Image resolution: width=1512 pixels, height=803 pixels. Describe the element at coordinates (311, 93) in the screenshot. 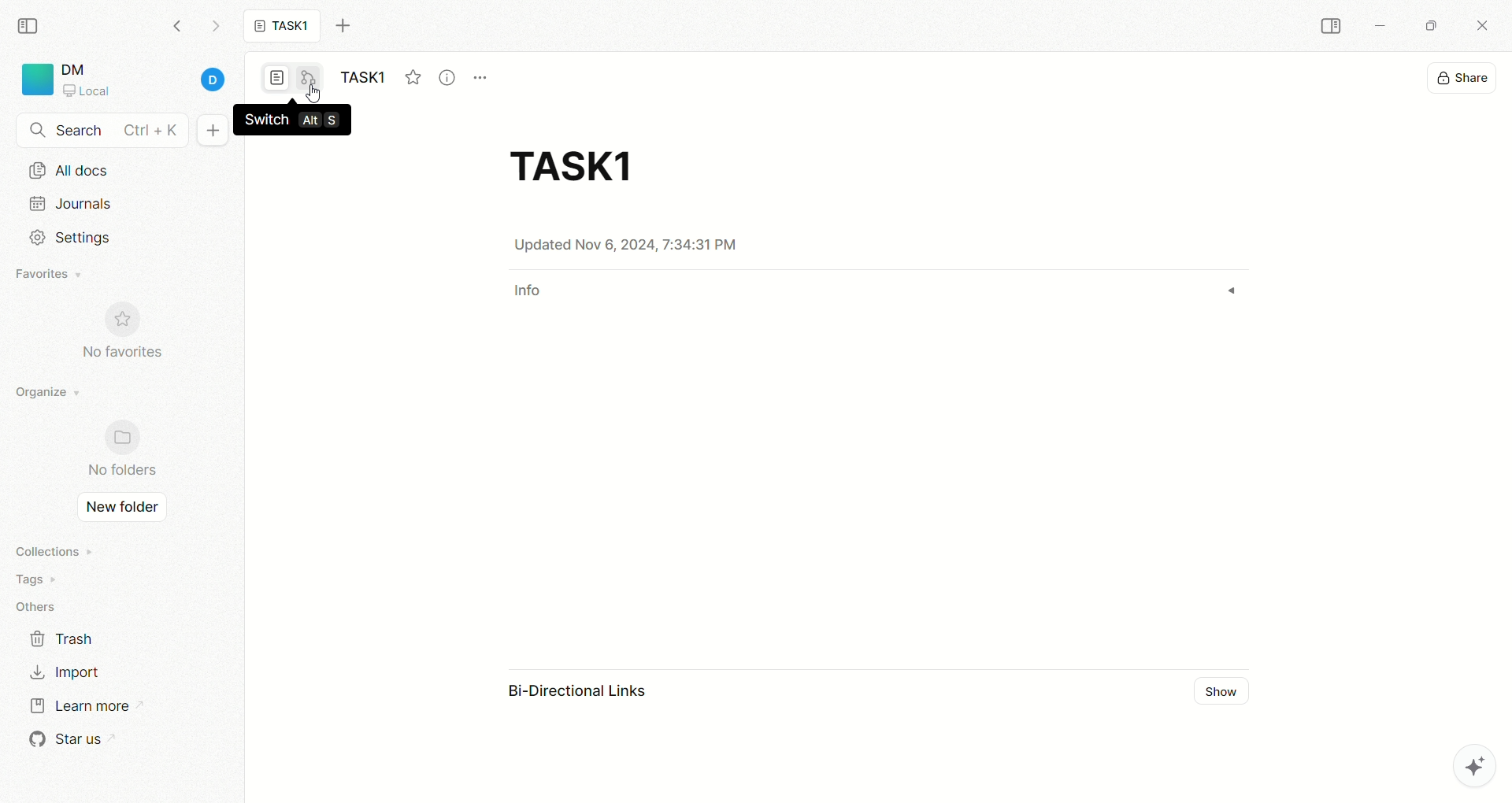

I see `cursor` at that location.